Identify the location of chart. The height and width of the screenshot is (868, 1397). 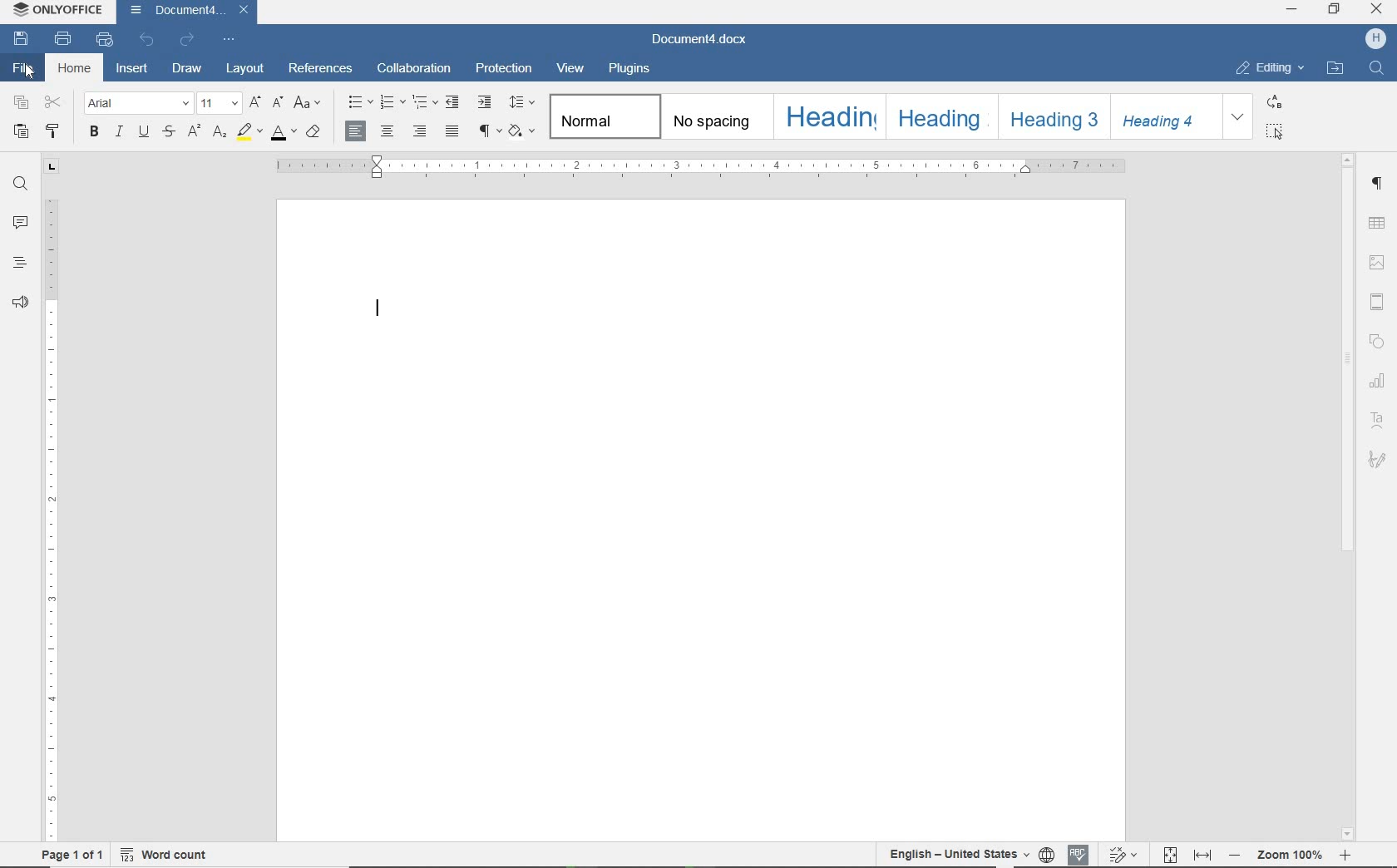
(1379, 381).